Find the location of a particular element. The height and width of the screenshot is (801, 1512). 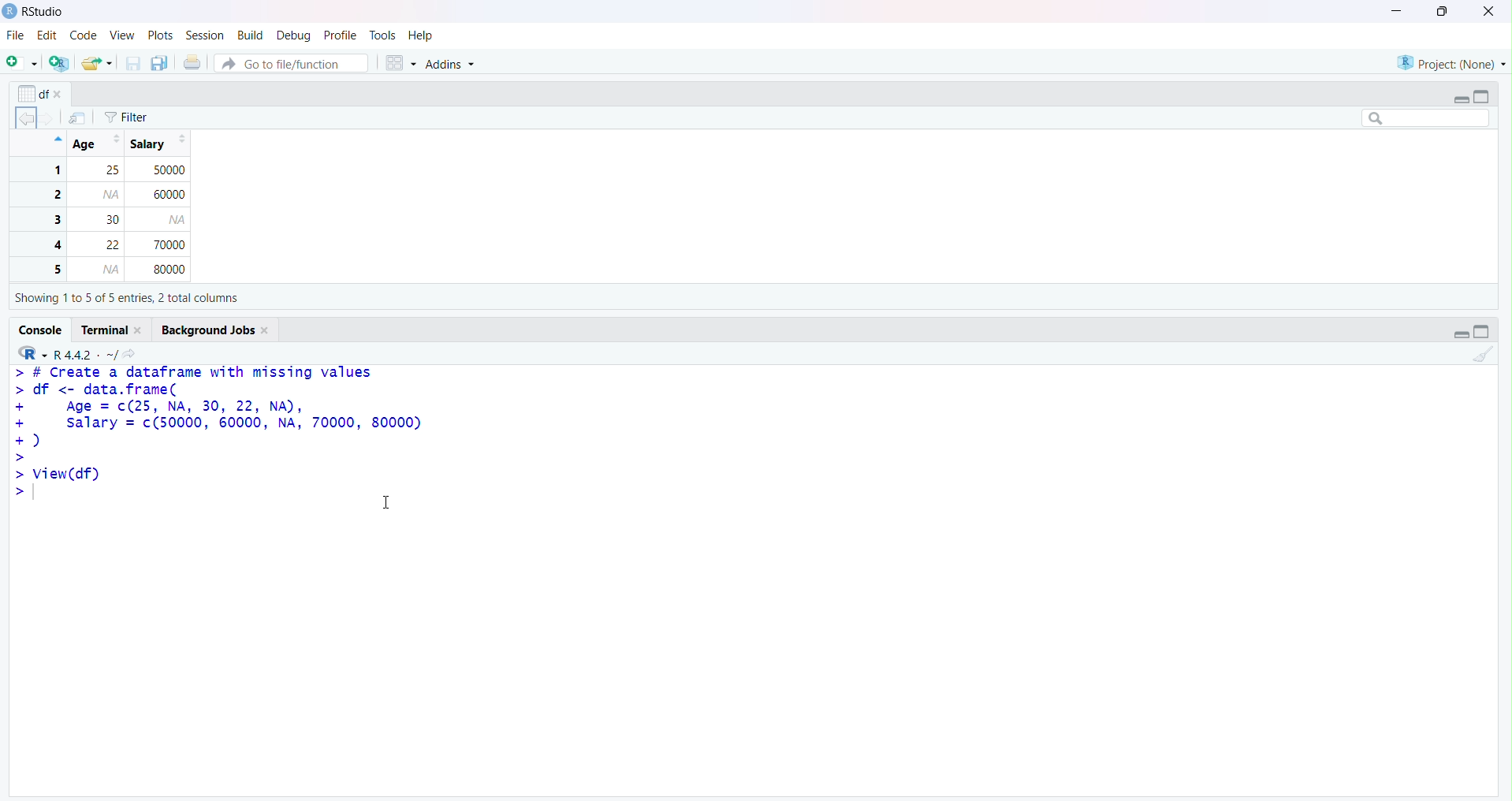

Open an existing file (Ctrl + O) is located at coordinates (97, 62).